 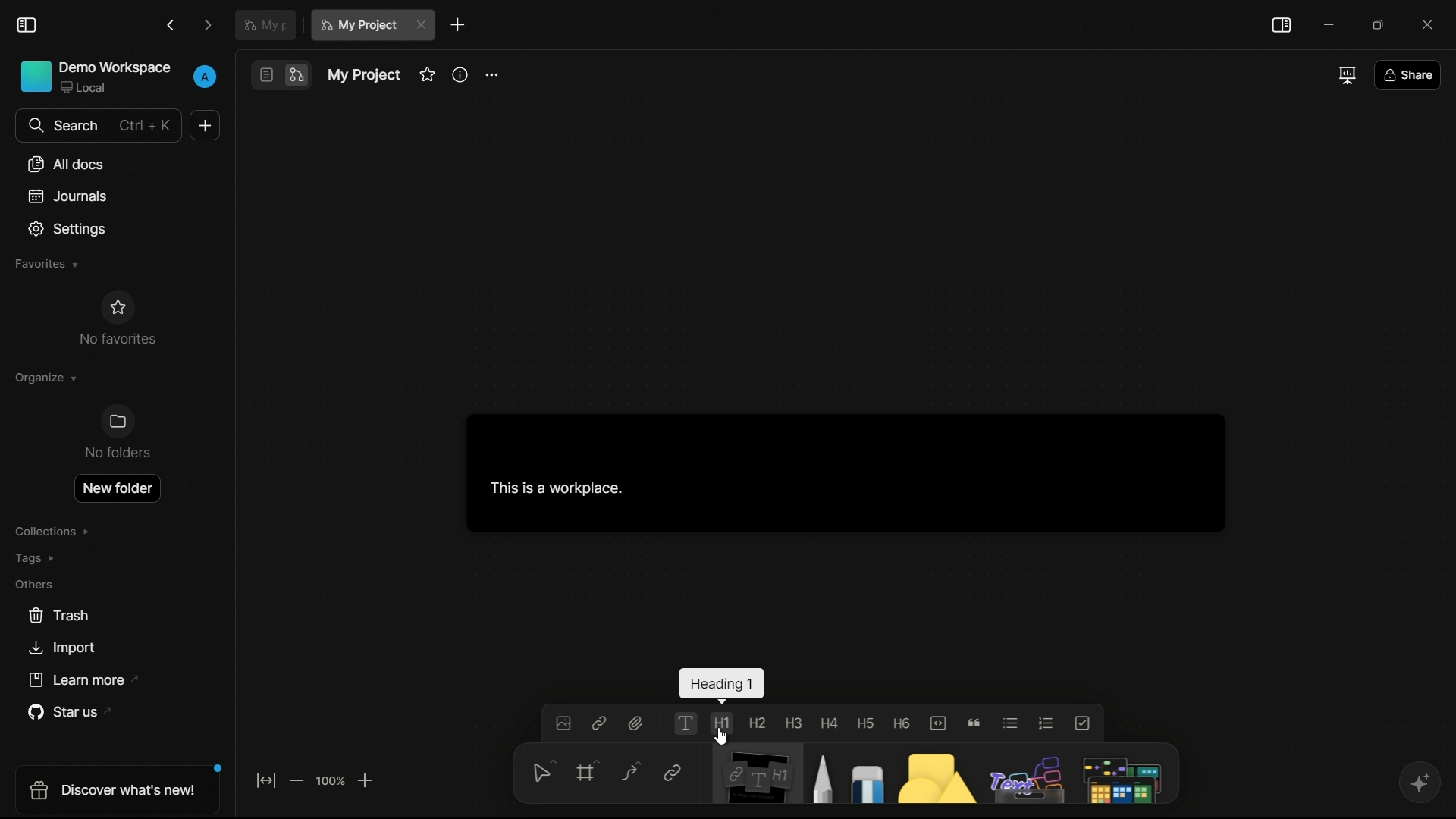 I want to click on more tools, so click(x=1122, y=774).